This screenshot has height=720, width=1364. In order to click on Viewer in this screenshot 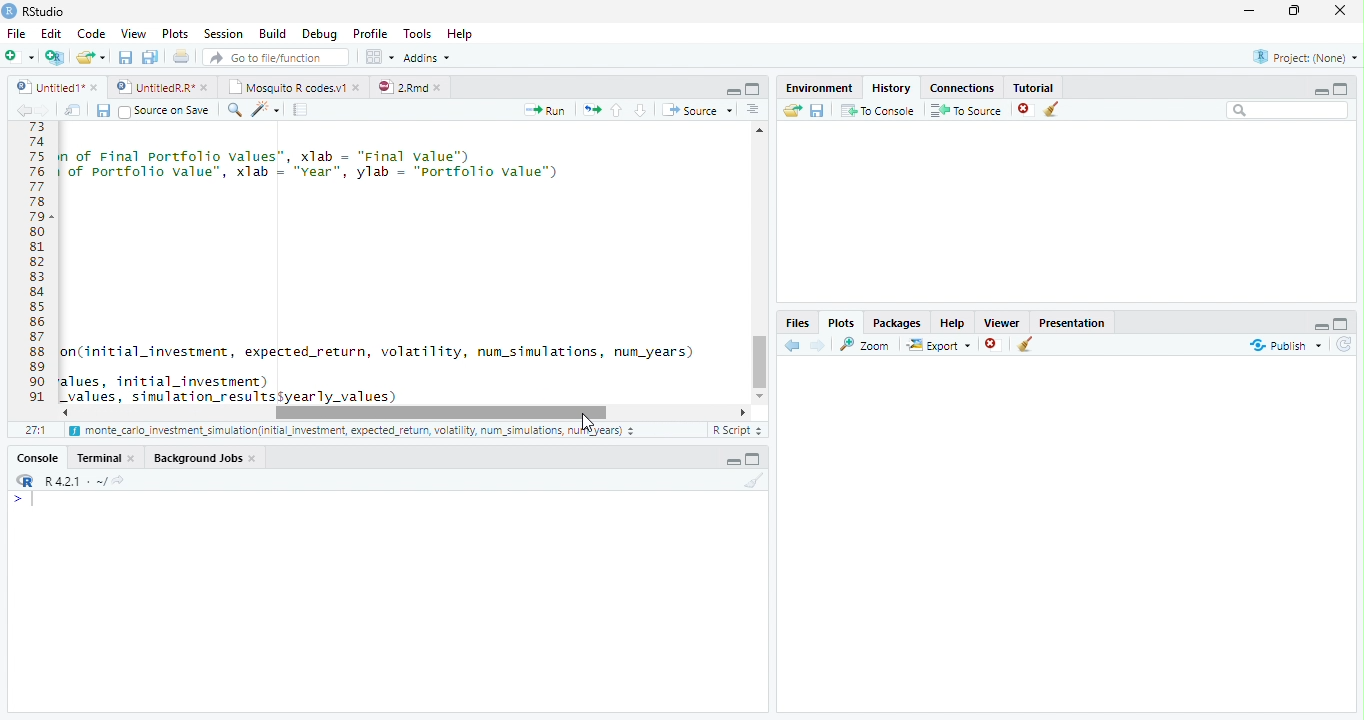, I will do `click(1003, 320)`.